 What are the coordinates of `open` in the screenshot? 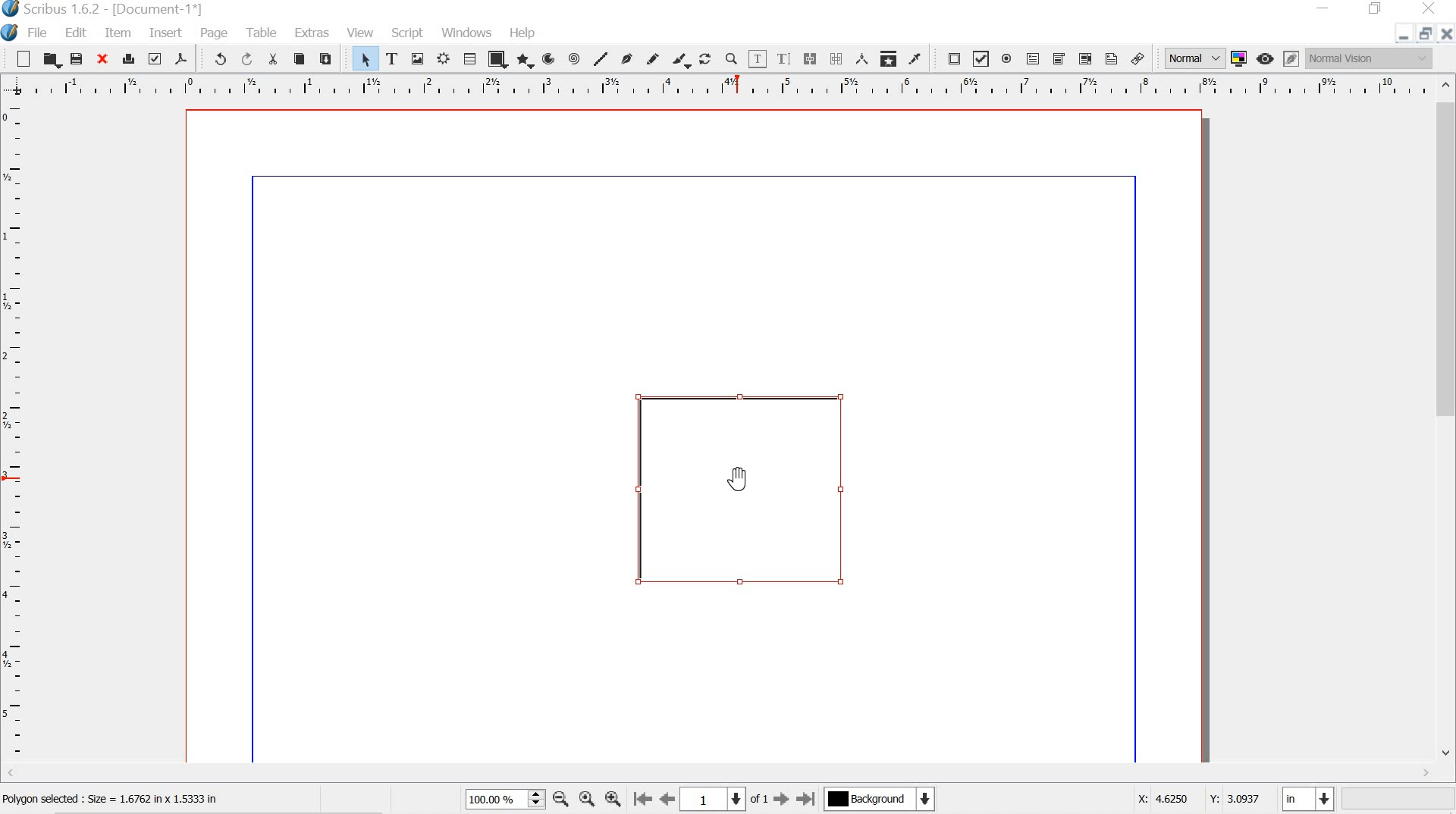 It's located at (52, 60).